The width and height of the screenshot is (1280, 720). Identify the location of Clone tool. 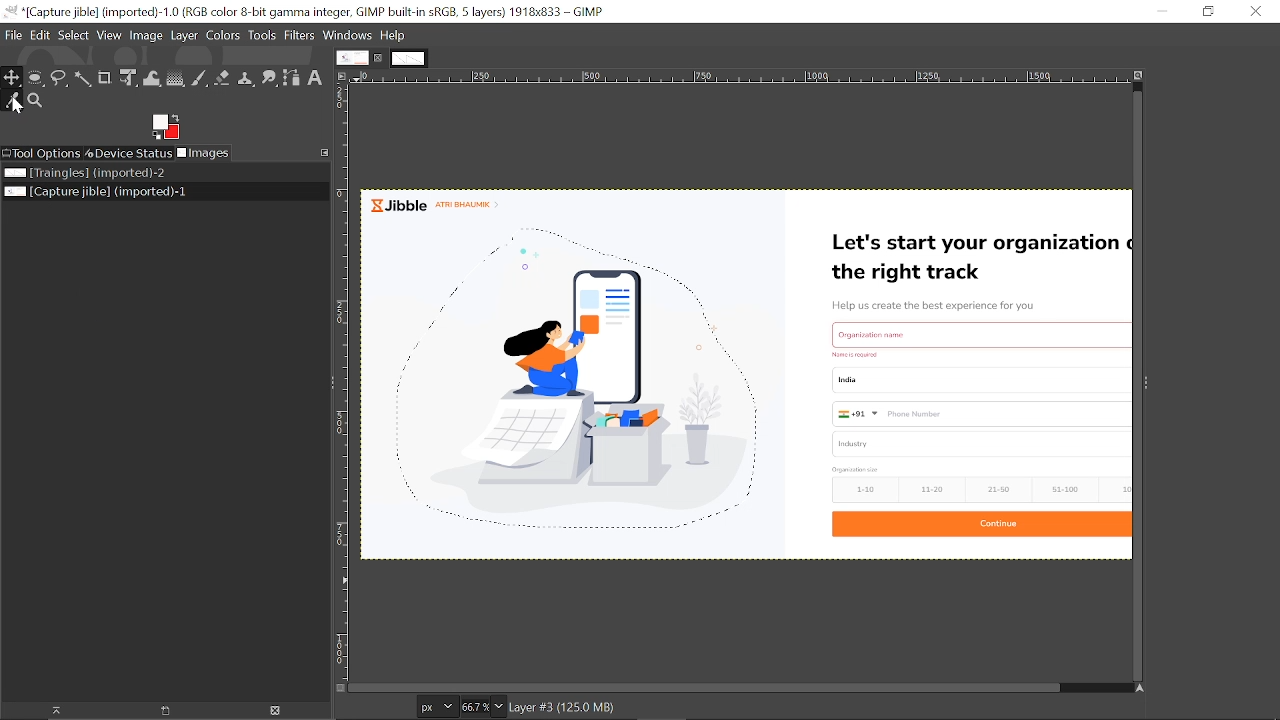
(245, 79).